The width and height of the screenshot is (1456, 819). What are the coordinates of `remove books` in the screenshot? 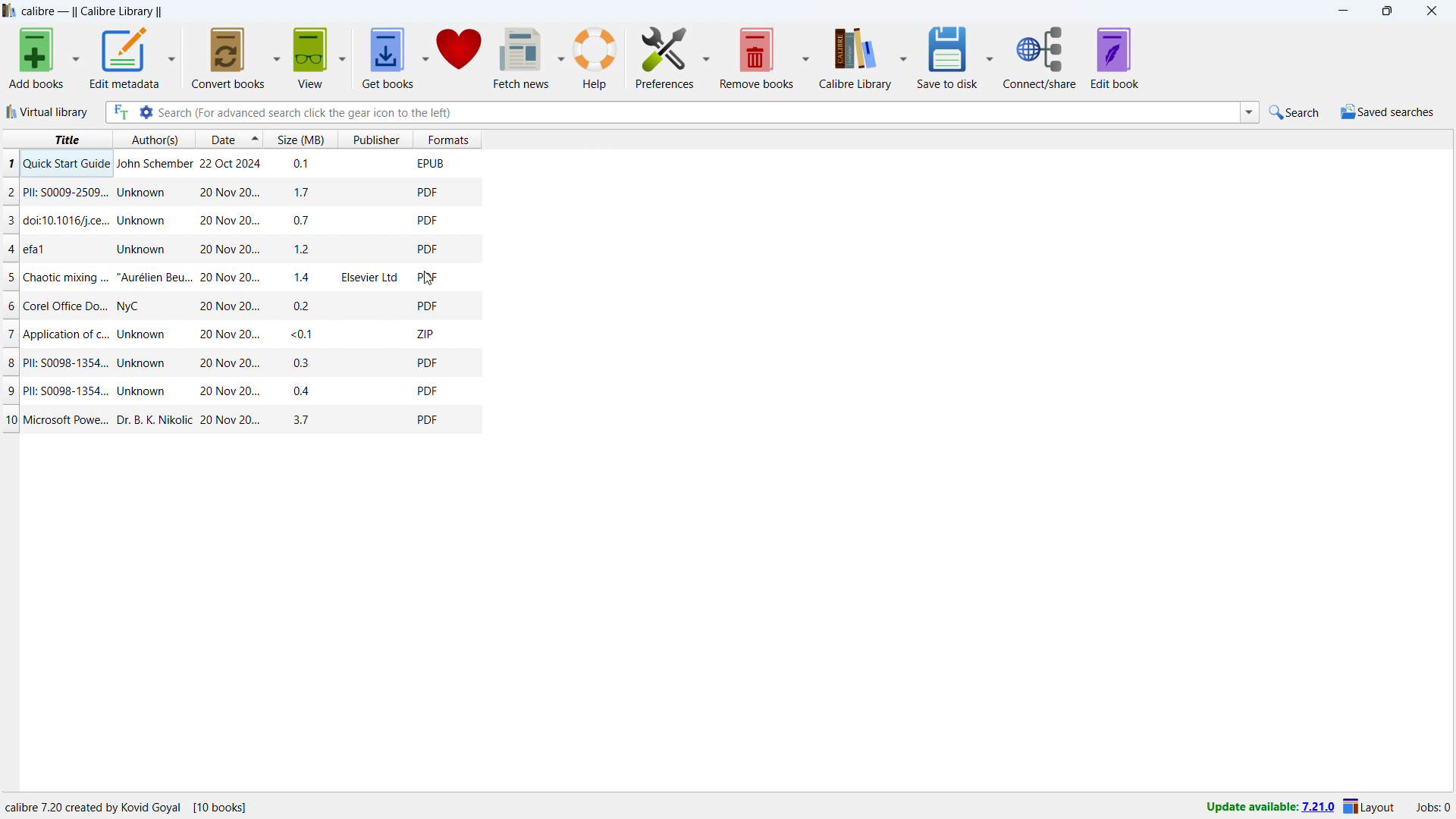 It's located at (664, 56).